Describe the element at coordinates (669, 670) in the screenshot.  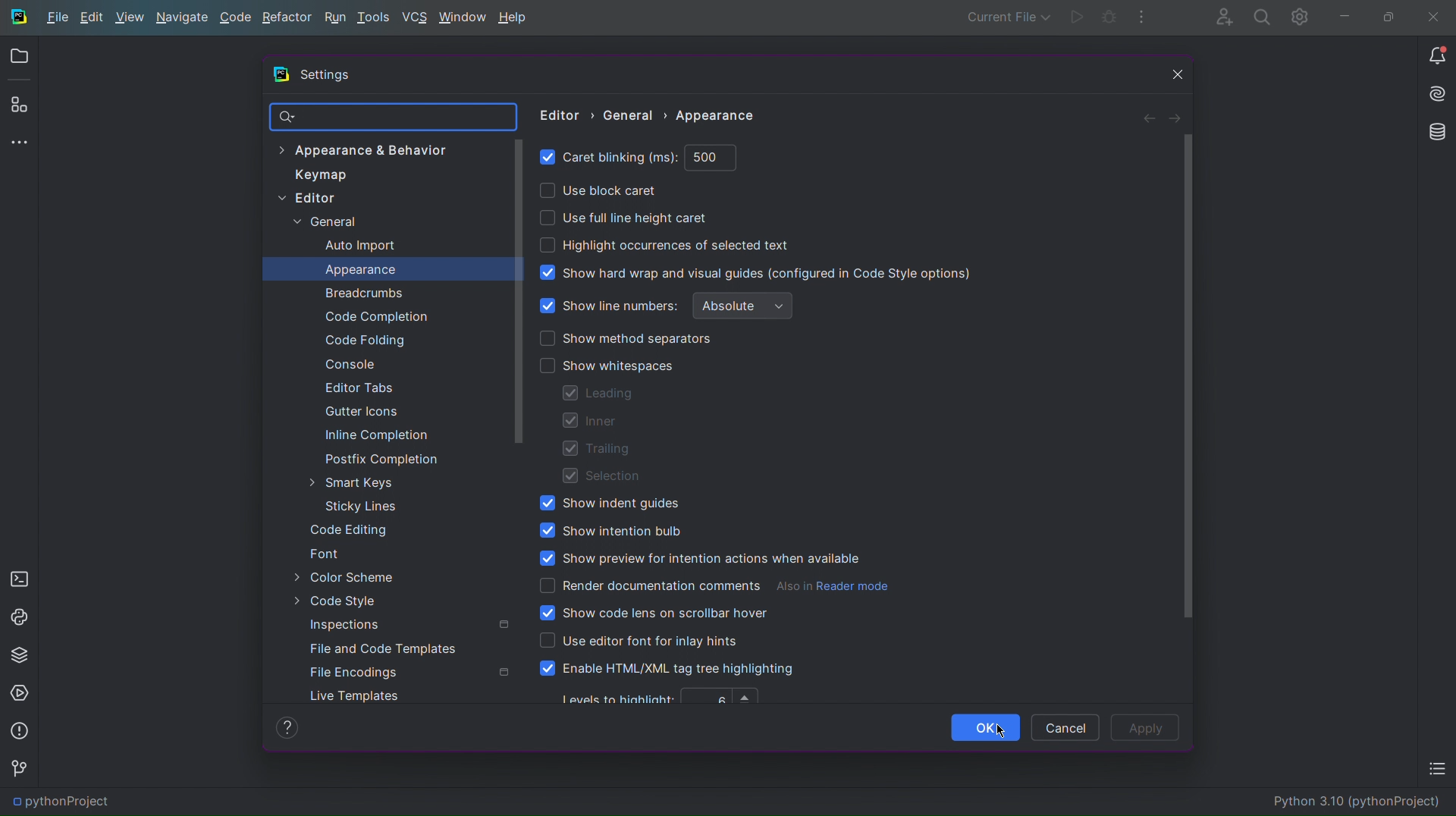
I see `Enable HTML/XML tag tree highlighting` at that location.